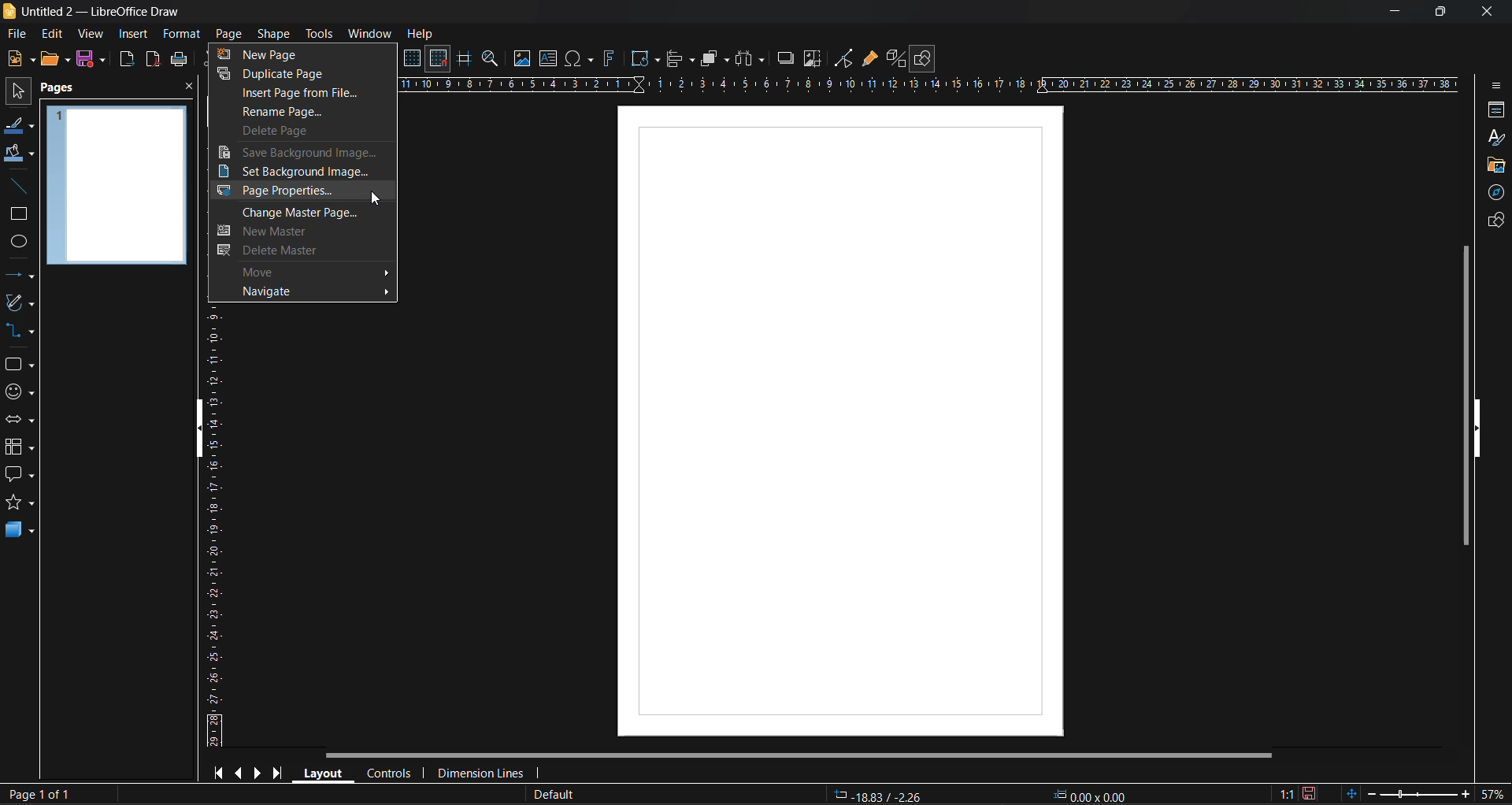 The height and width of the screenshot is (805, 1512). Describe the element at coordinates (1496, 139) in the screenshot. I see `styles` at that location.